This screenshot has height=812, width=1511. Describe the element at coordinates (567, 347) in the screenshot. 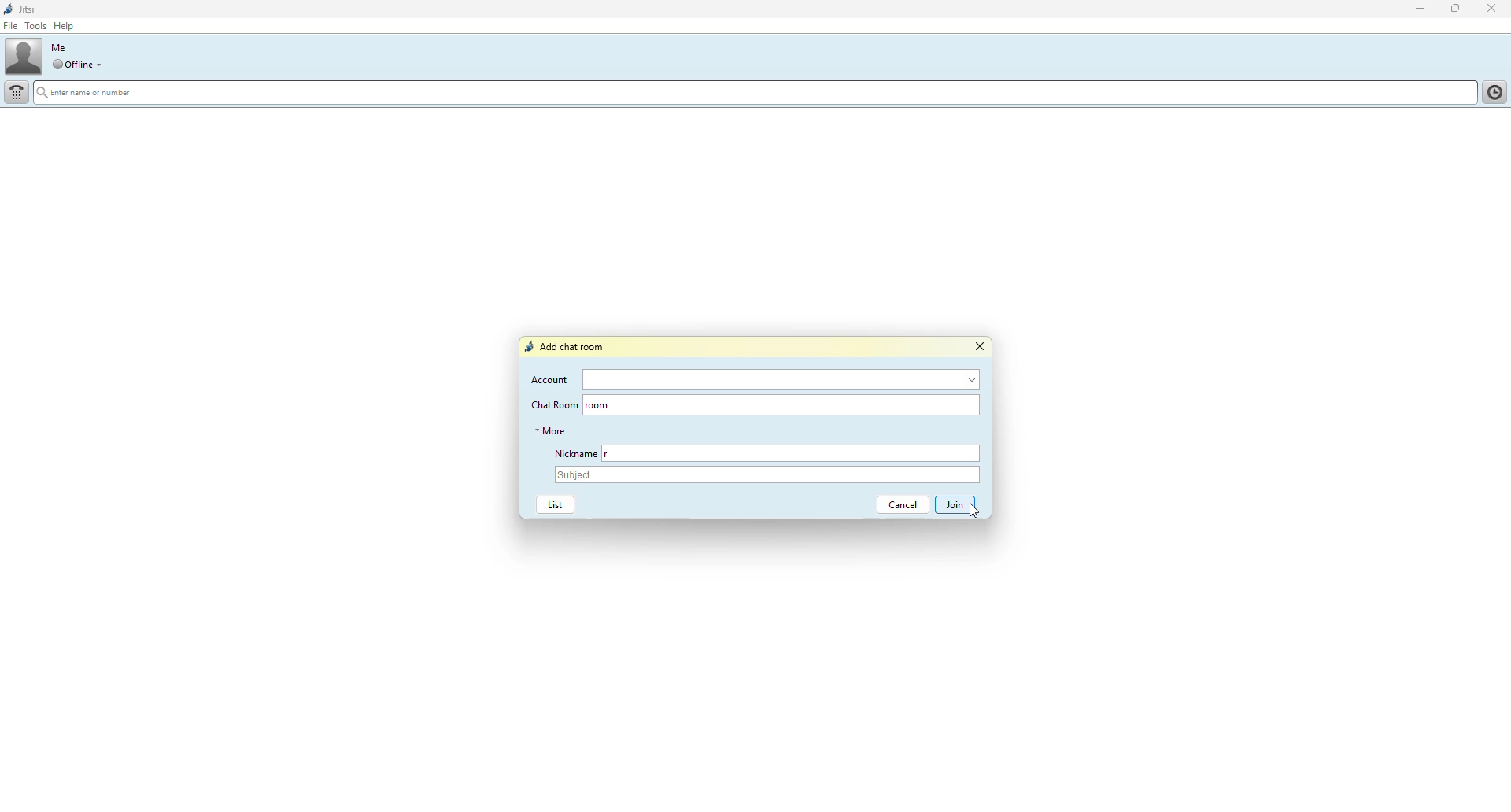

I see `add chat room` at that location.